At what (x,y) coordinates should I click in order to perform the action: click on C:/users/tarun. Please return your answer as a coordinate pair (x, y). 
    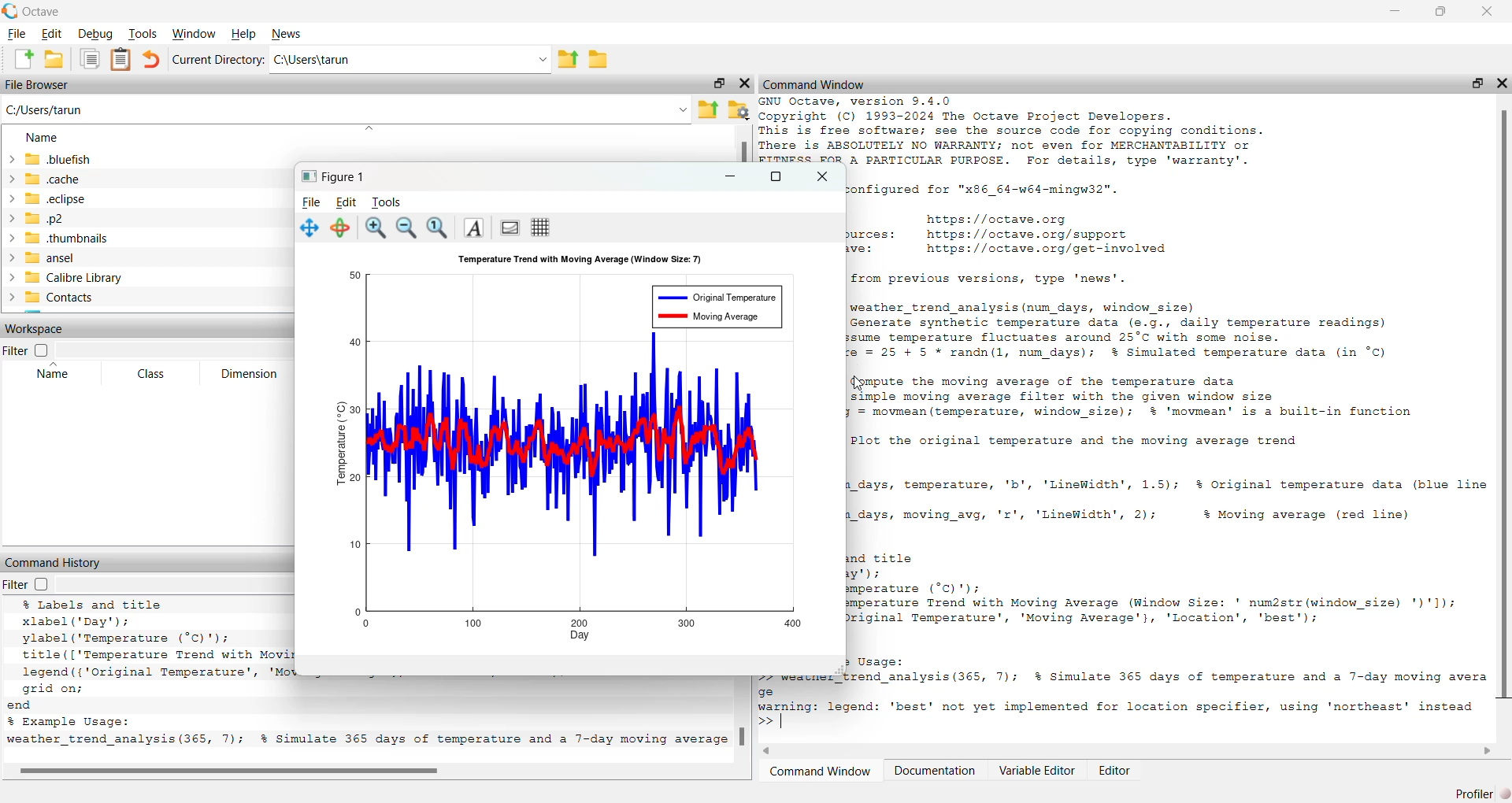
    Looking at the image, I should click on (345, 115).